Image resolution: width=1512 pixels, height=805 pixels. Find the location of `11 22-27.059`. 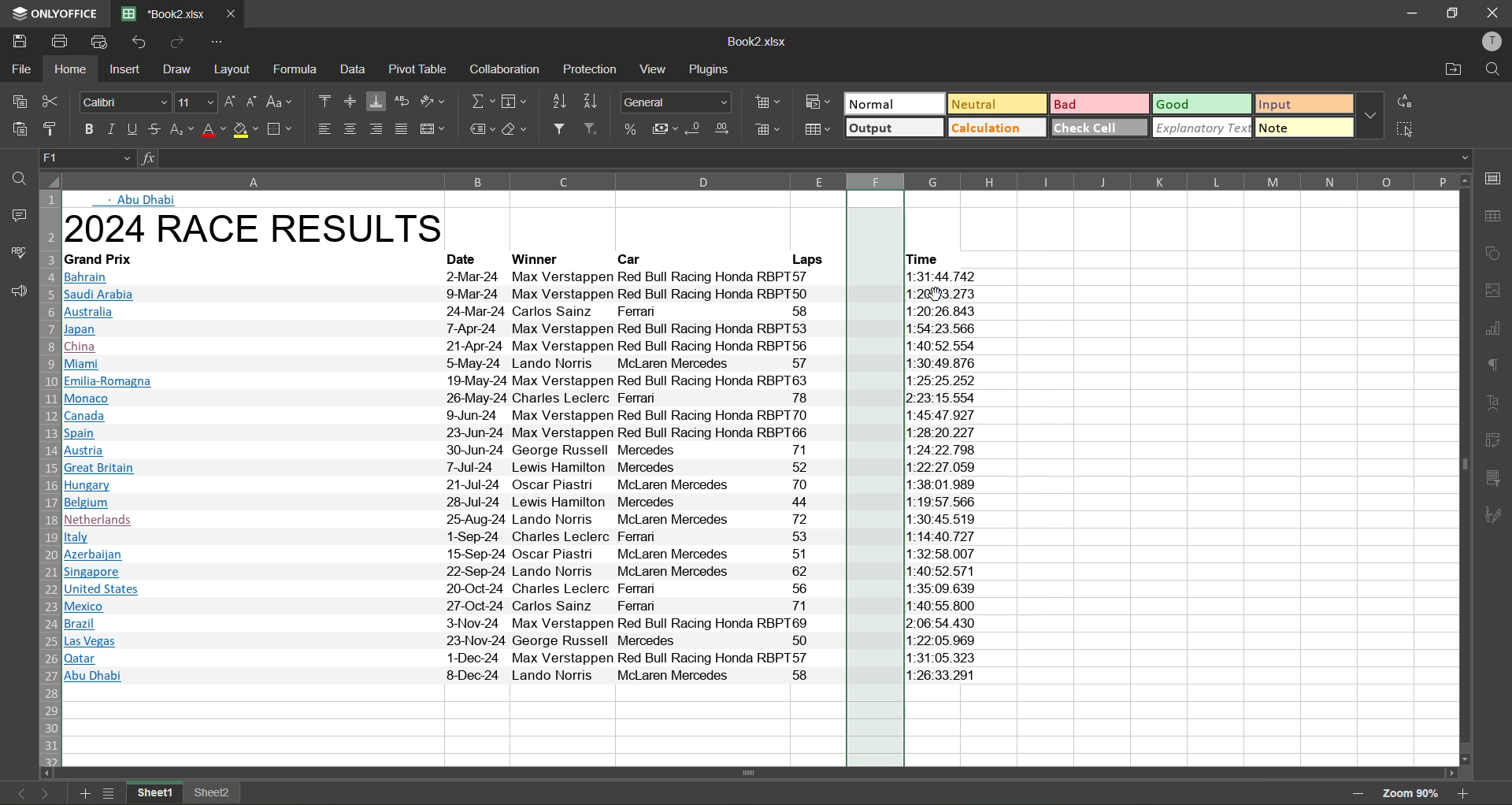

11 22-27.059 is located at coordinates (942, 467).